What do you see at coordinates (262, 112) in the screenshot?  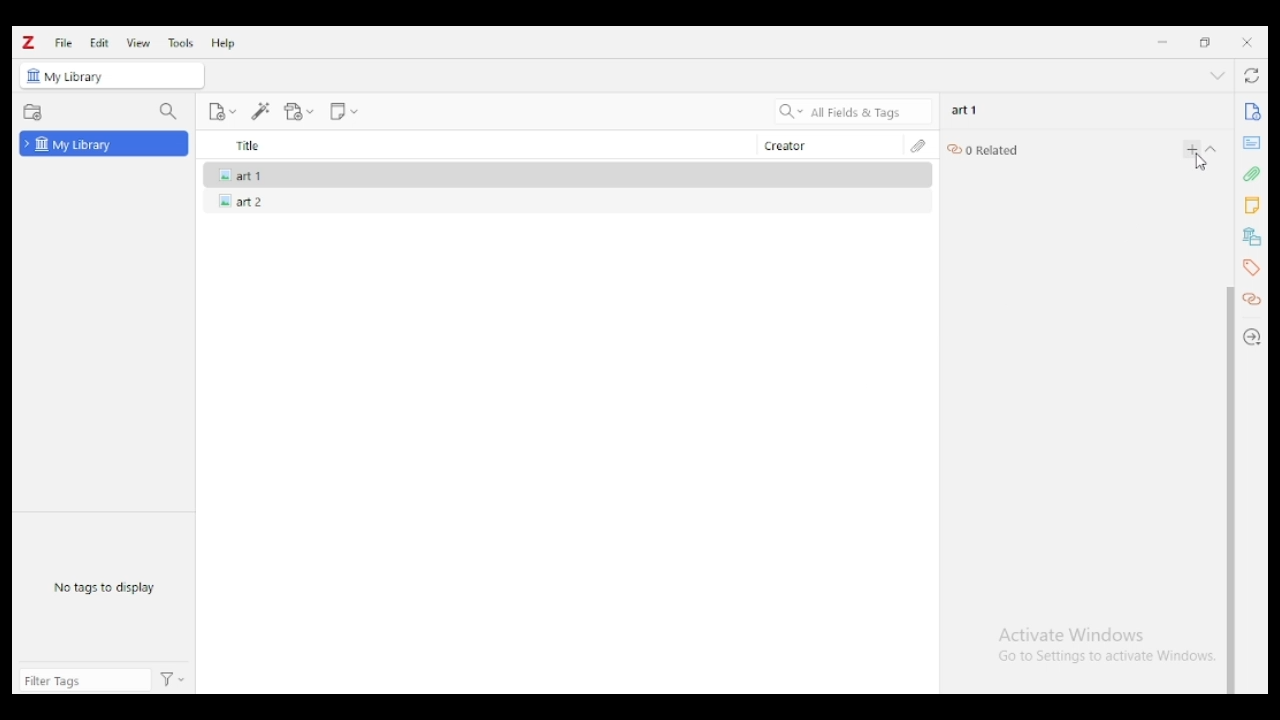 I see `add item(s) by identifier` at bounding box center [262, 112].